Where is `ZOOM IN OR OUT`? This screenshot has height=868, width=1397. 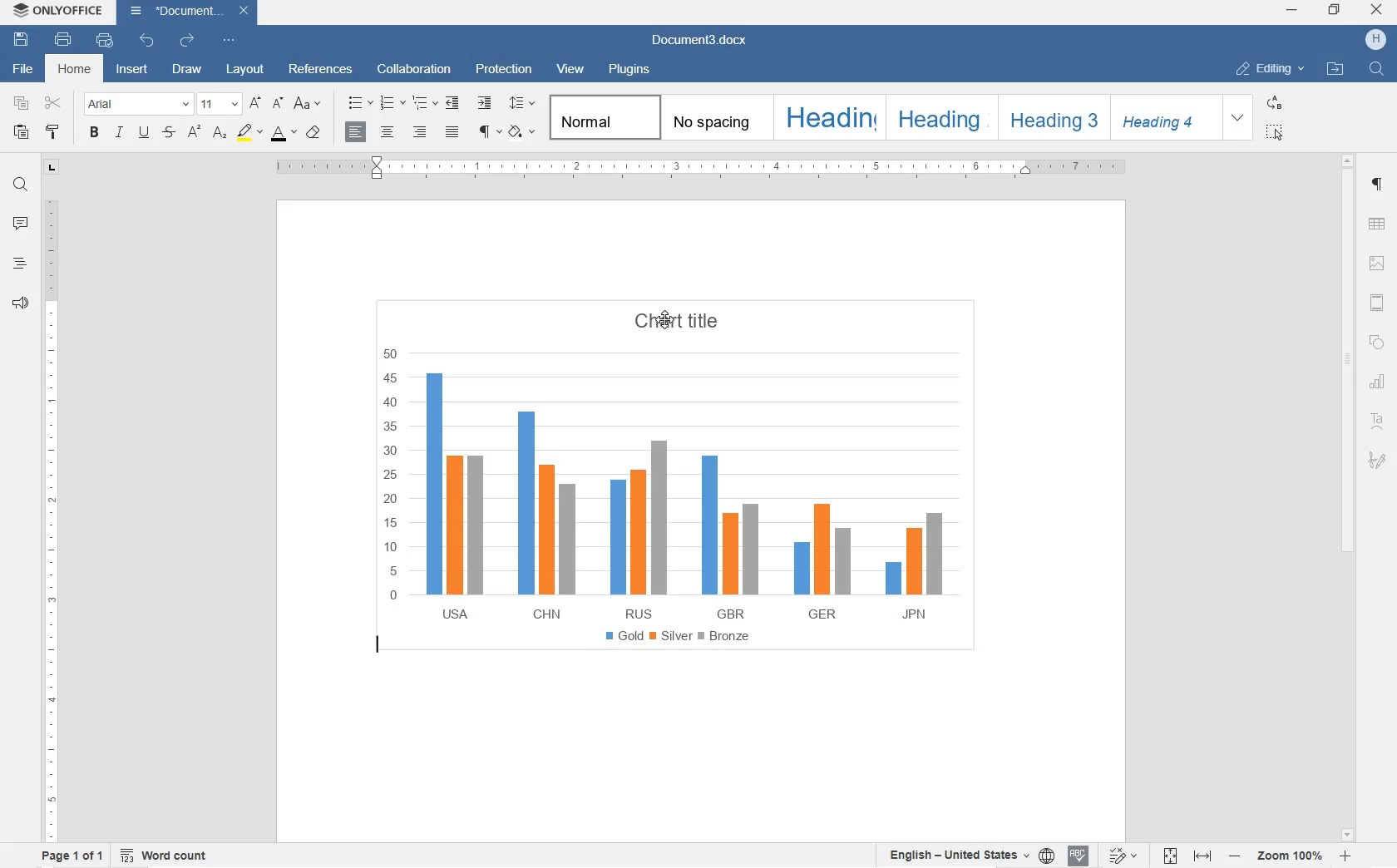 ZOOM IN OR OUT is located at coordinates (1292, 854).